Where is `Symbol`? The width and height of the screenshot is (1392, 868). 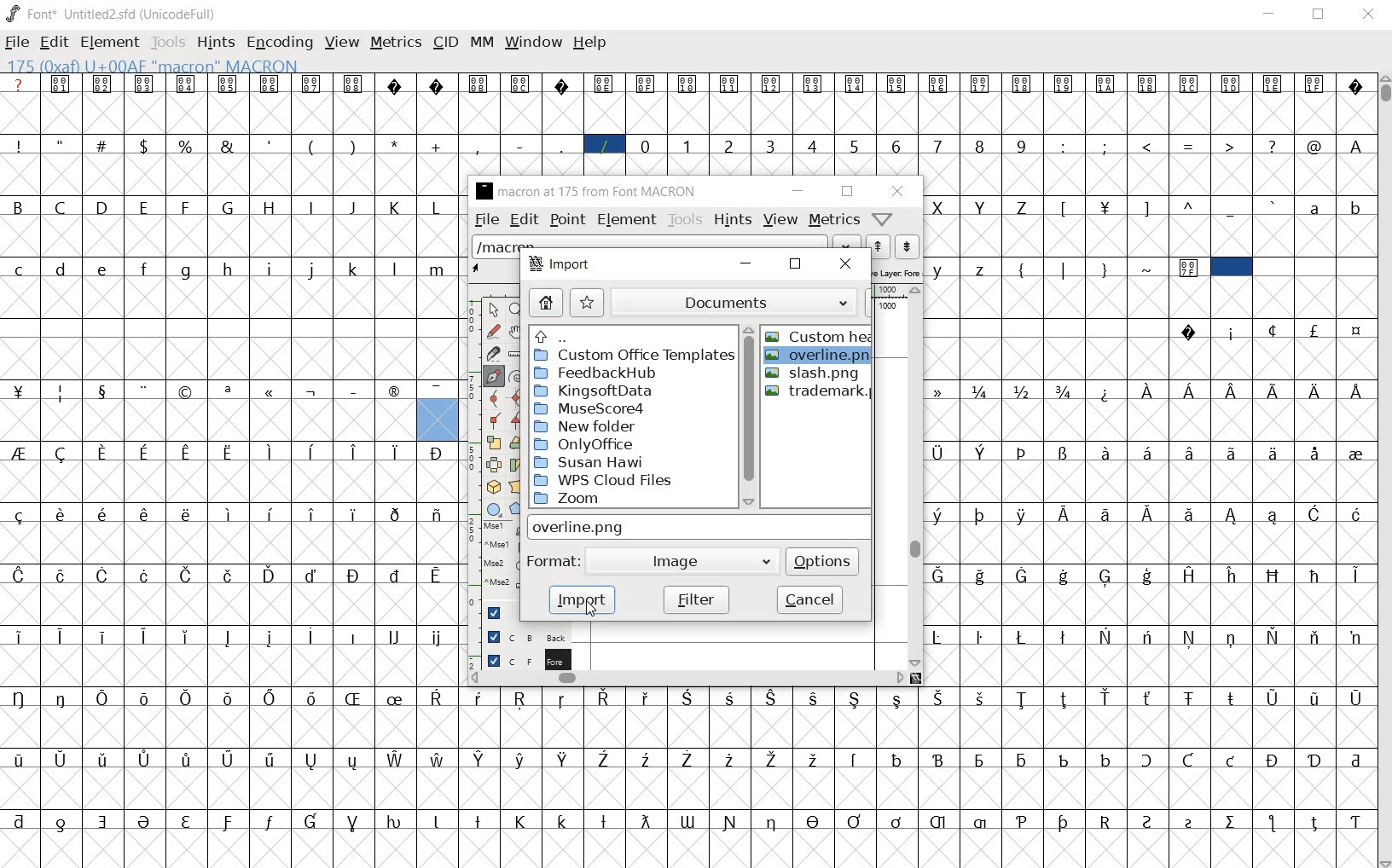 Symbol is located at coordinates (351, 84).